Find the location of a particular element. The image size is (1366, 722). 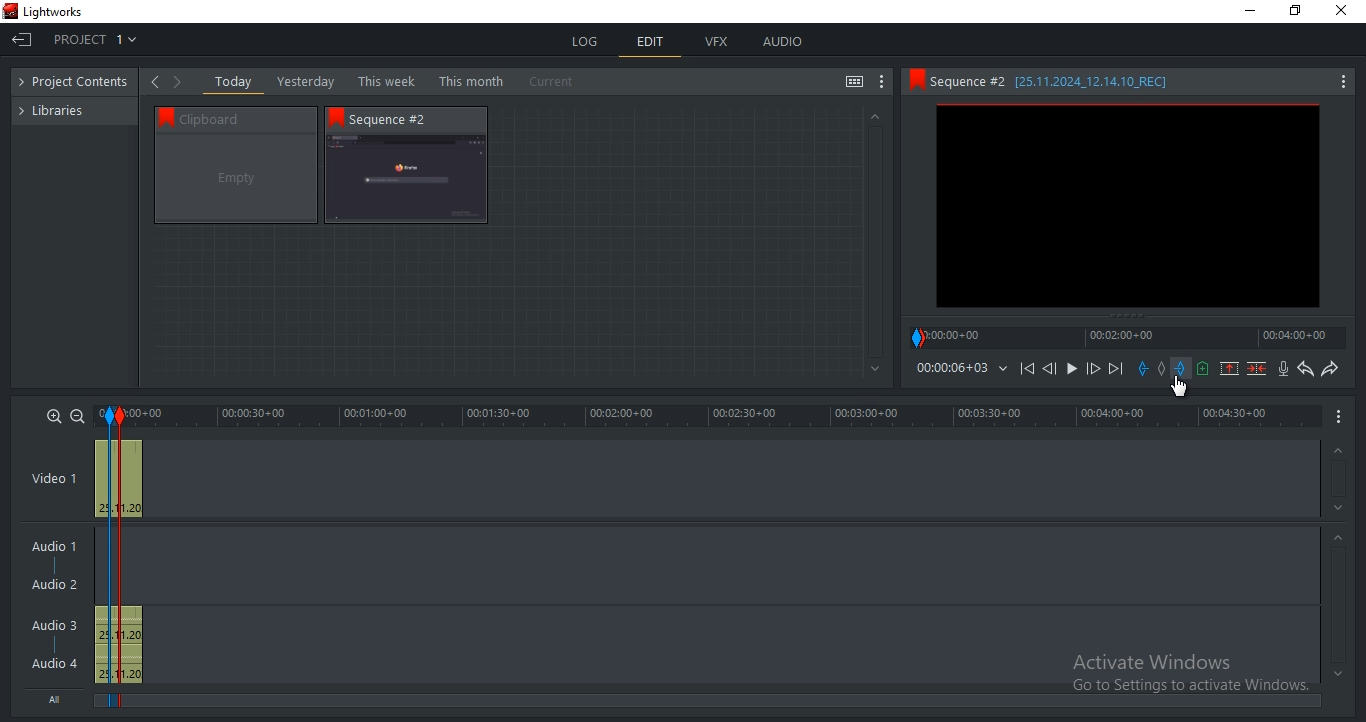

Bookmark icon is located at coordinates (336, 117).